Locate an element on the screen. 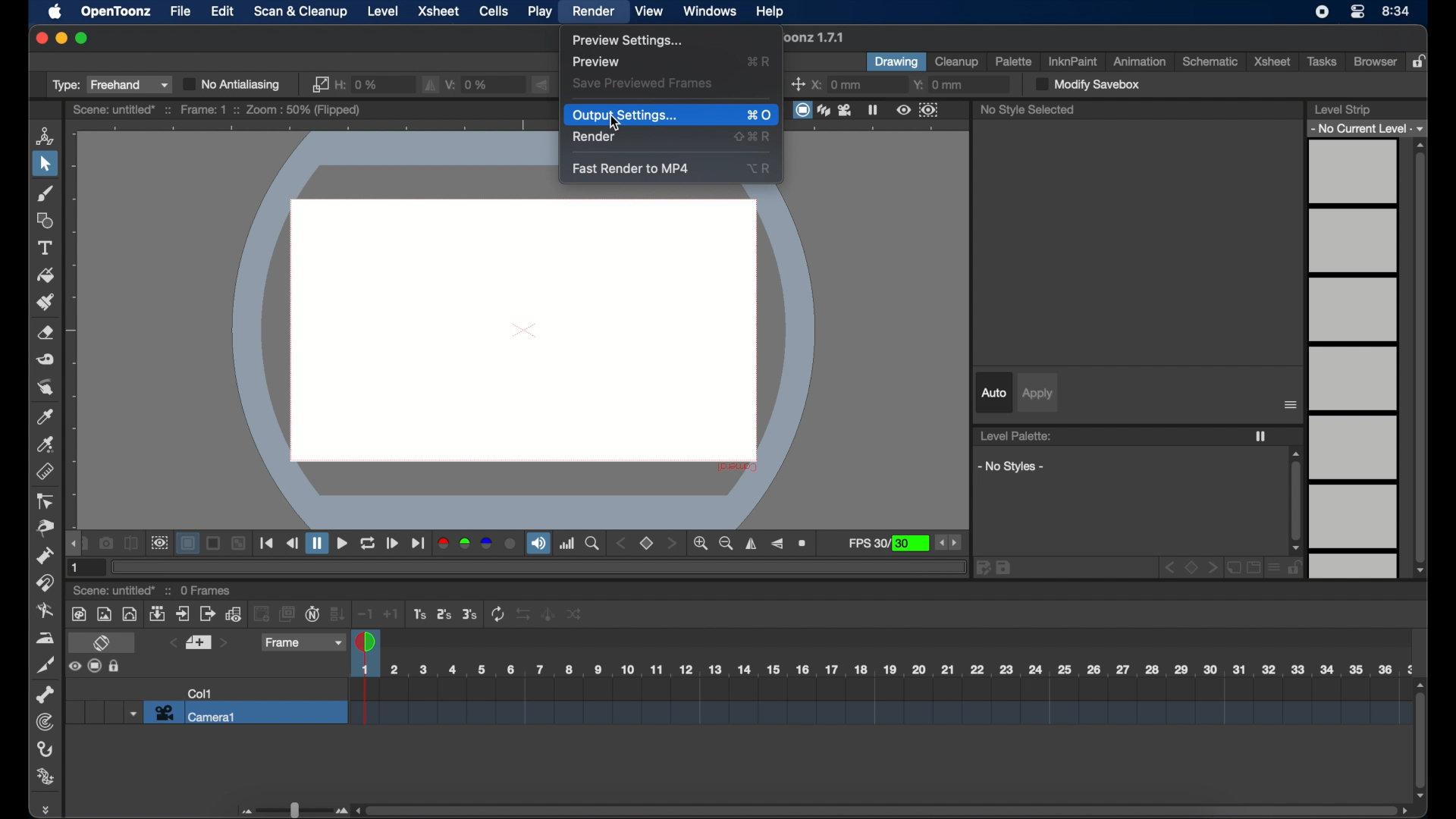 The height and width of the screenshot is (819, 1456). pinch tool is located at coordinates (42, 529).